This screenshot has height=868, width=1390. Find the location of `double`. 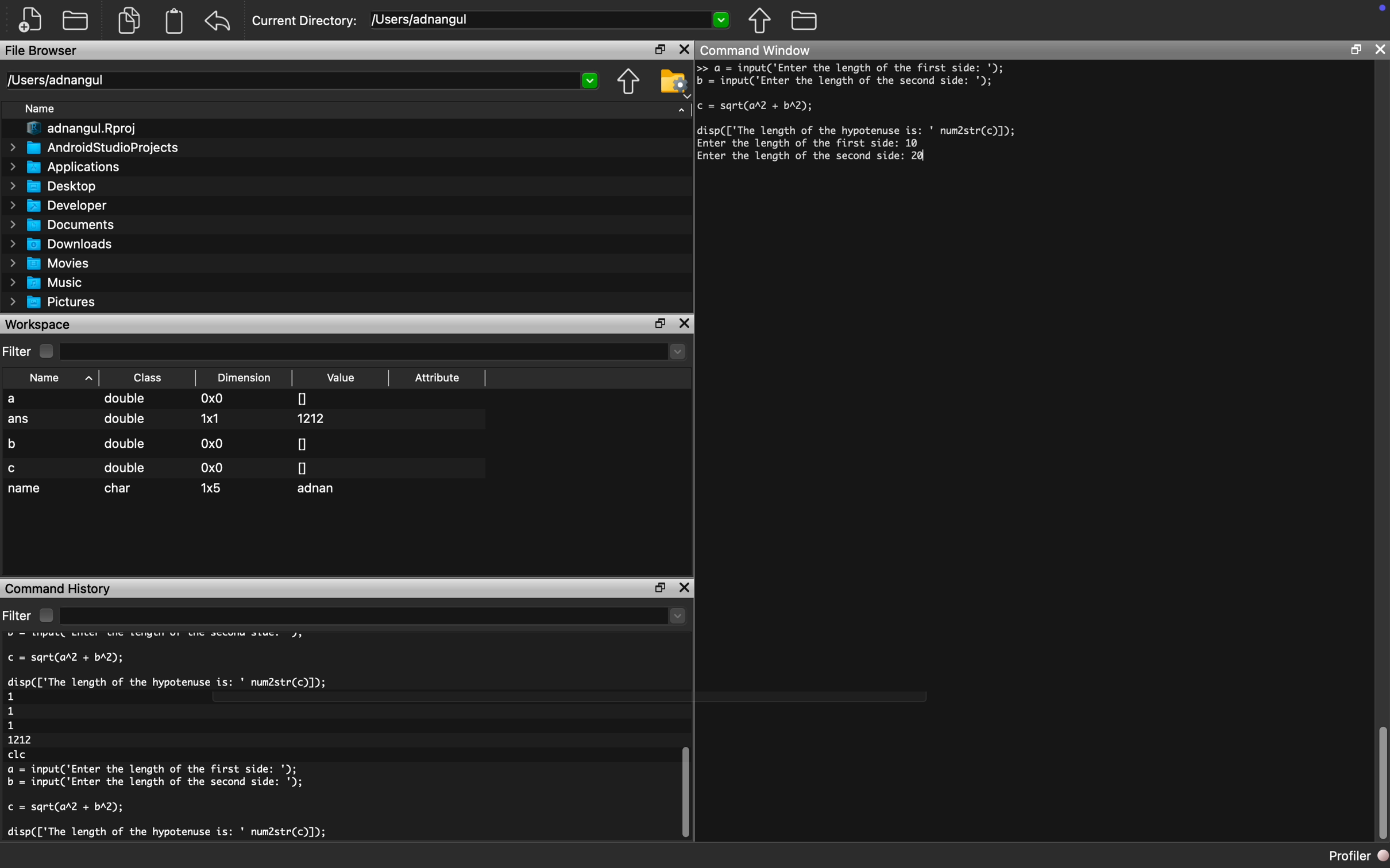

double is located at coordinates (123, 444).